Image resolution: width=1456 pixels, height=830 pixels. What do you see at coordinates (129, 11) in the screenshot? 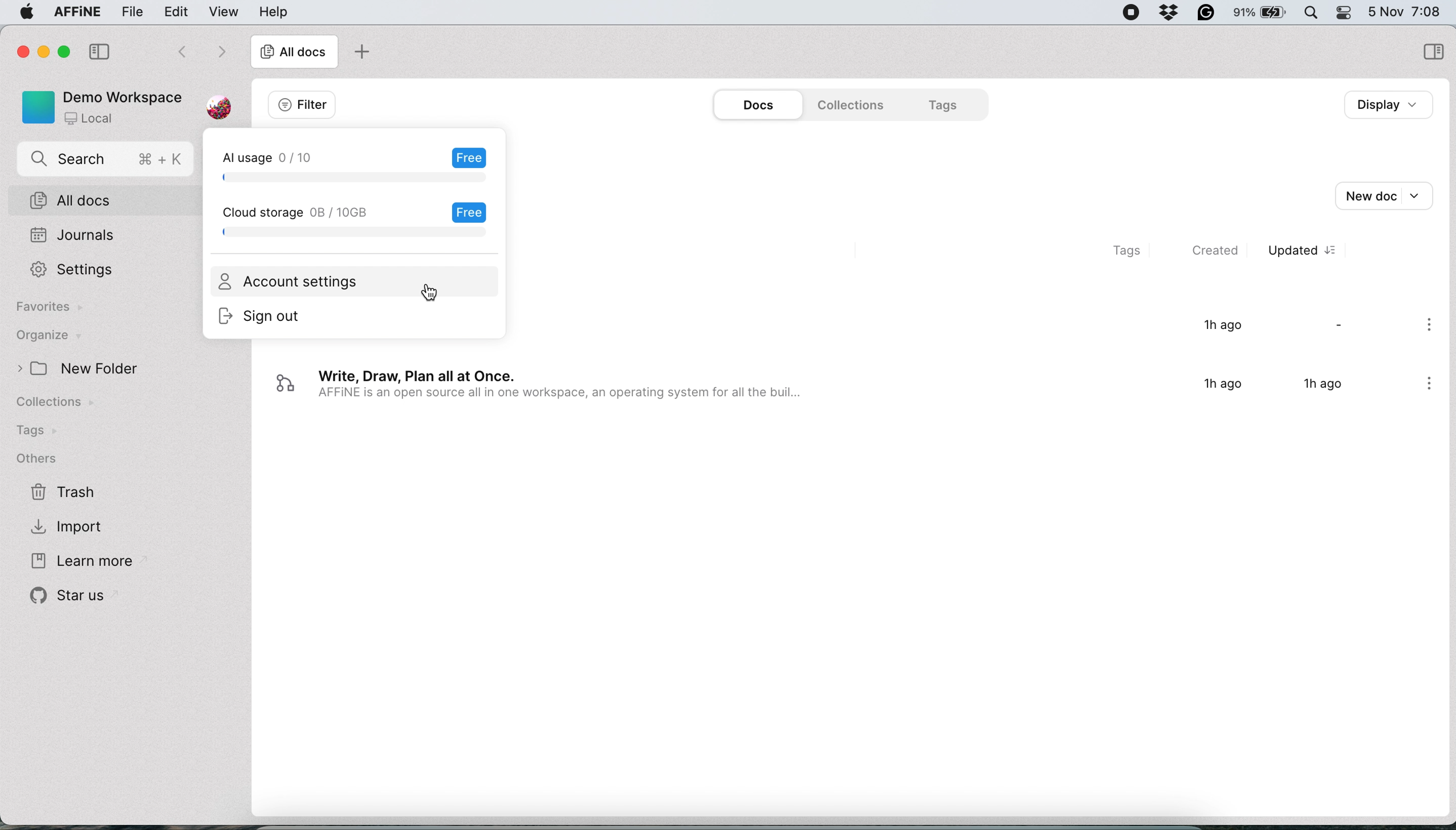
I see `file` at bounding box center [129, 11].